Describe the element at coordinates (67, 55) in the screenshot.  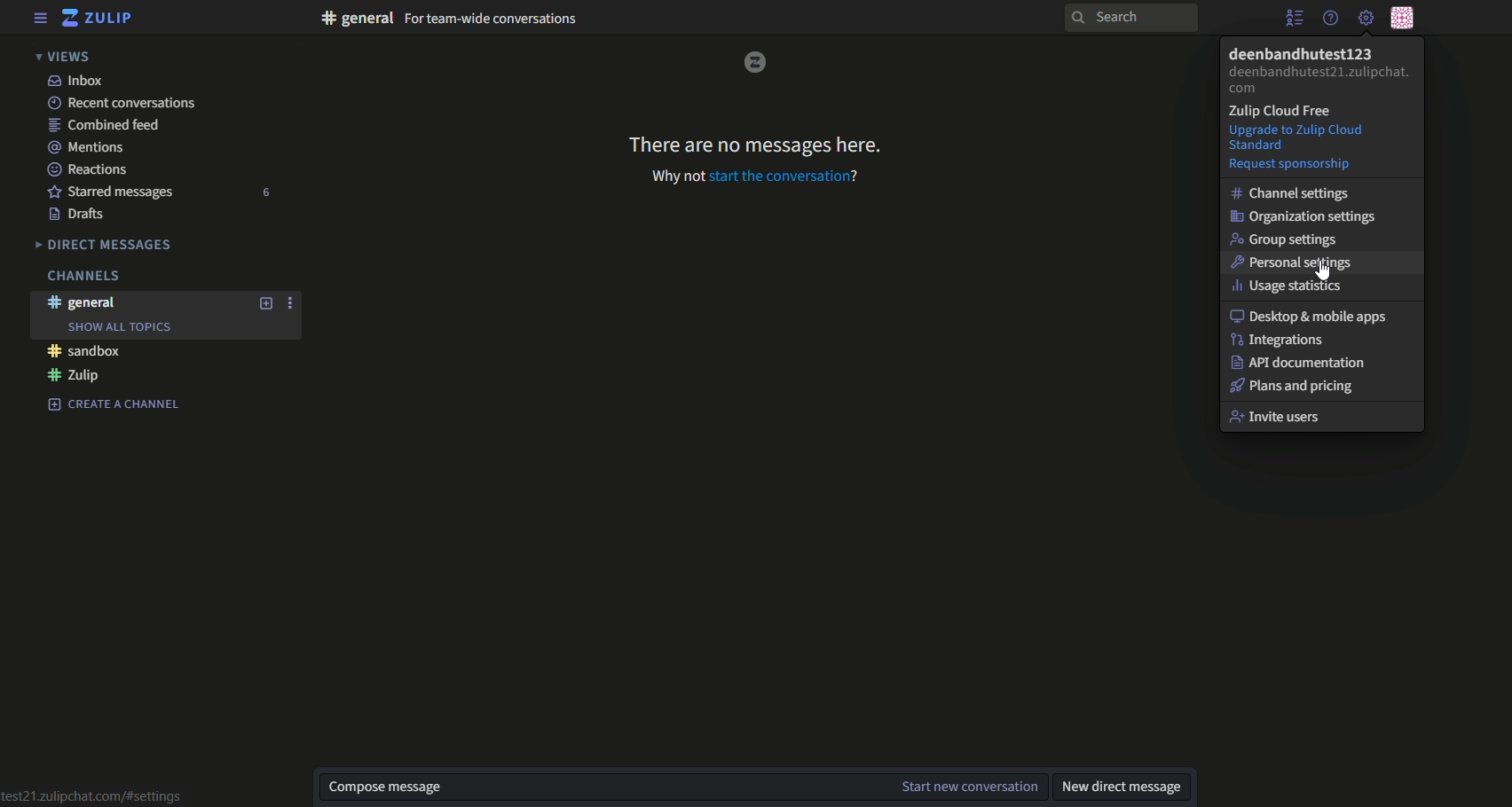
I see `views` at that location.